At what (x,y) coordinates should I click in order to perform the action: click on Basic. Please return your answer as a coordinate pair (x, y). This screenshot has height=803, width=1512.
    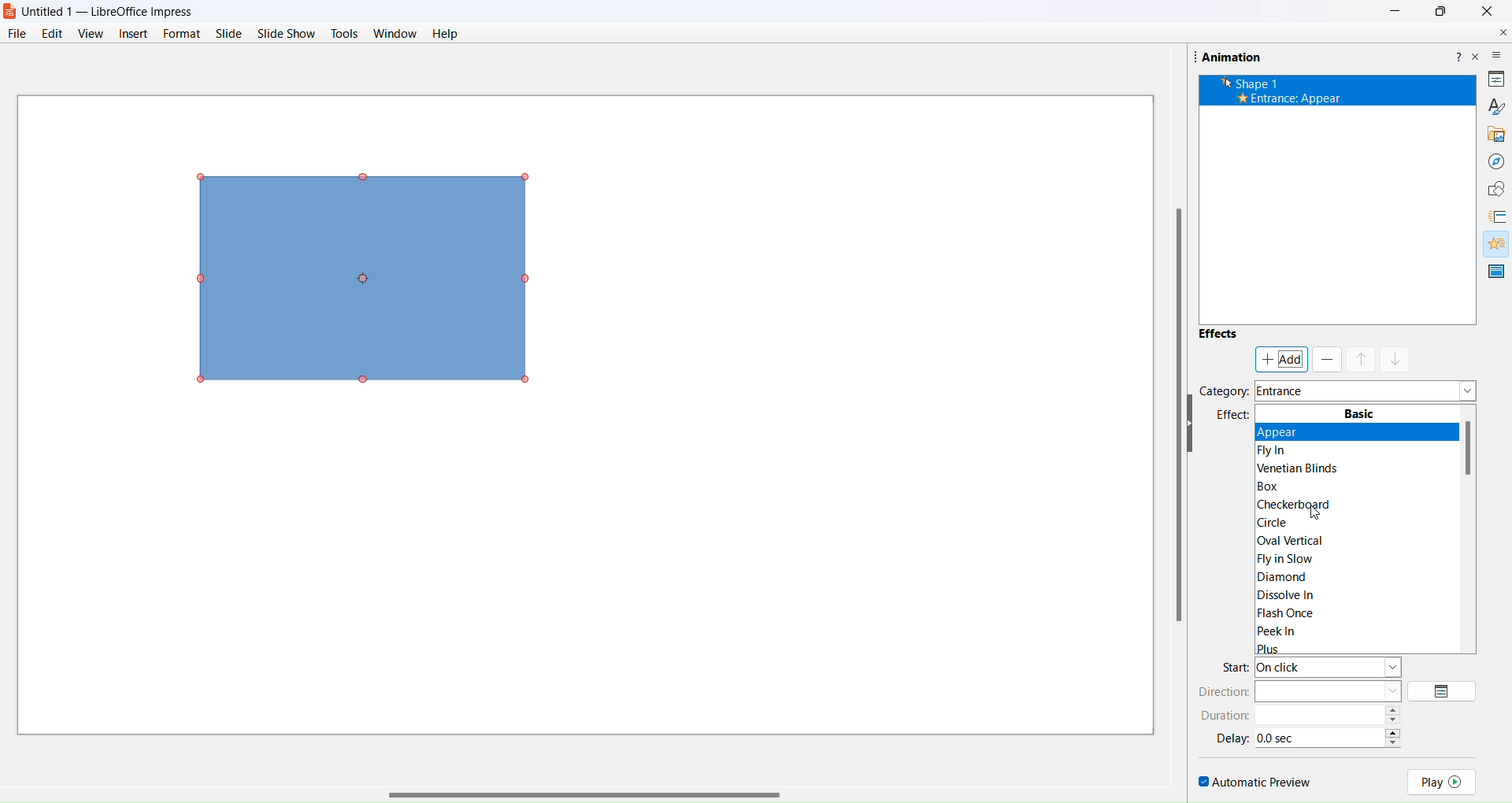
    Looking at the image, I should click on (1358, 416).